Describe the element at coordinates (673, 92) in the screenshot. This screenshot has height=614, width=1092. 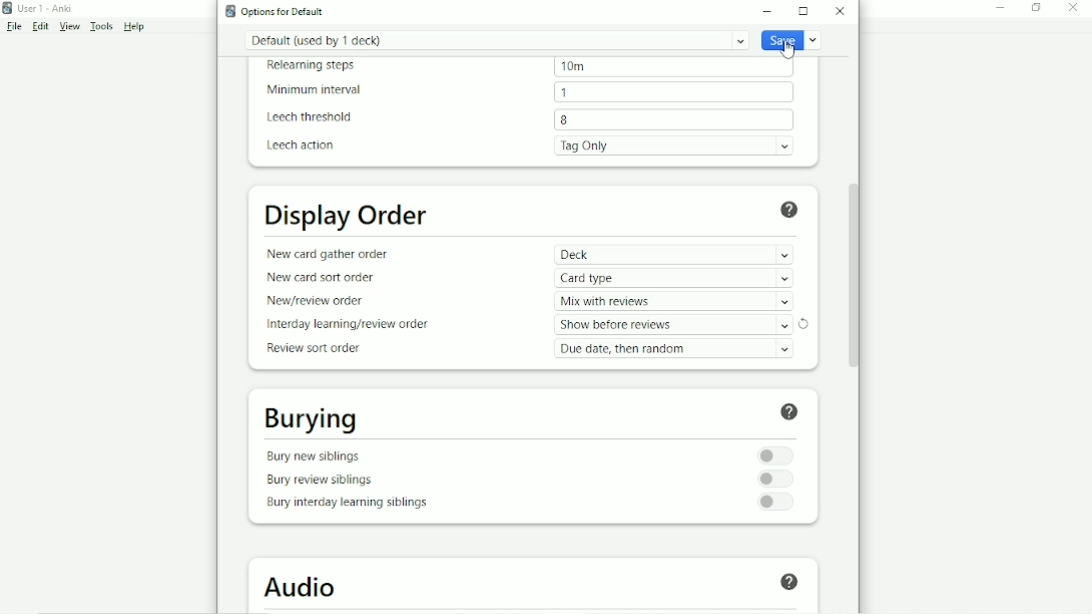
I see `1` at that location.